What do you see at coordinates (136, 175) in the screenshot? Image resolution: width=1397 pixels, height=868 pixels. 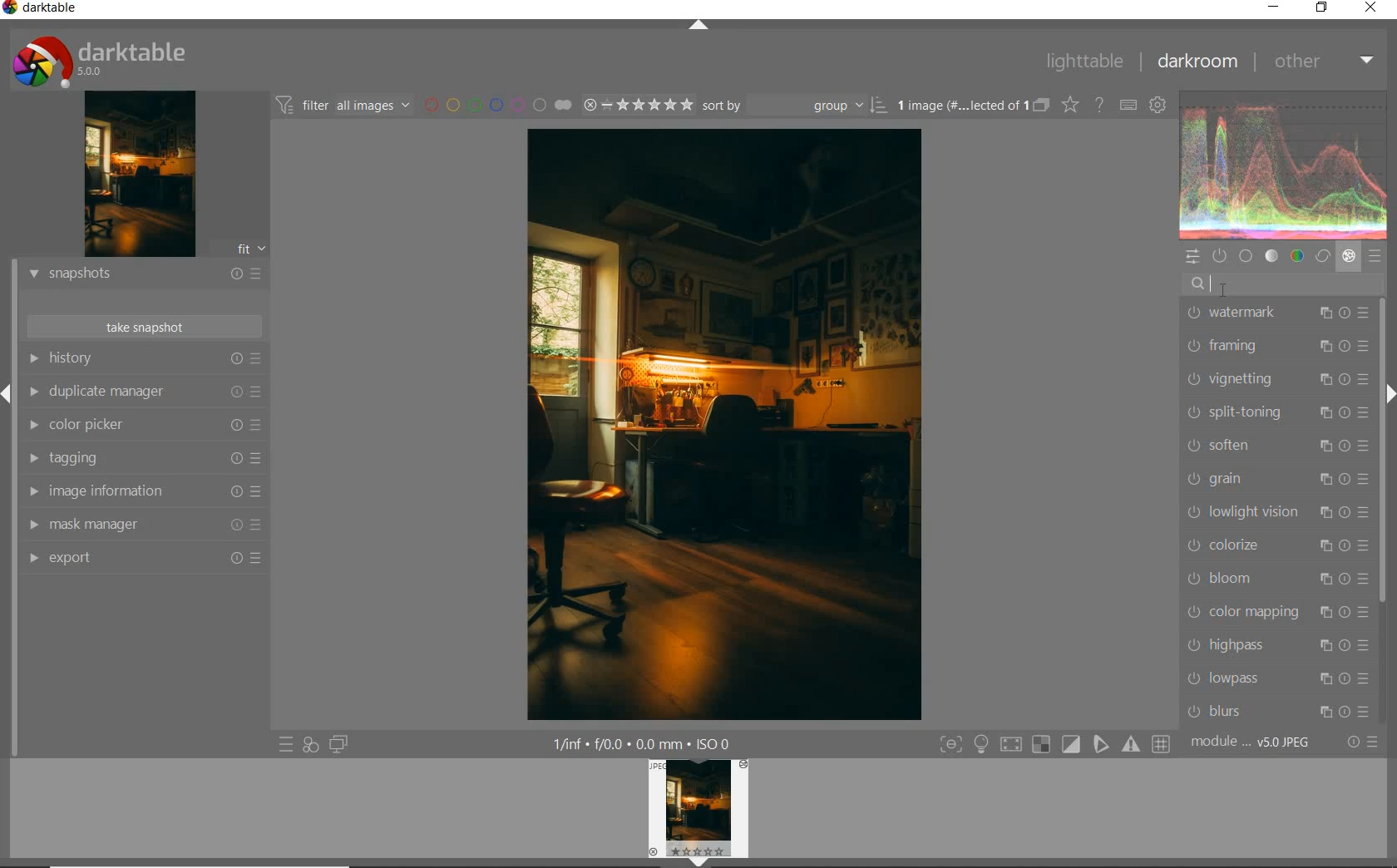 I see `image preview` at bounding box center [136, 175].